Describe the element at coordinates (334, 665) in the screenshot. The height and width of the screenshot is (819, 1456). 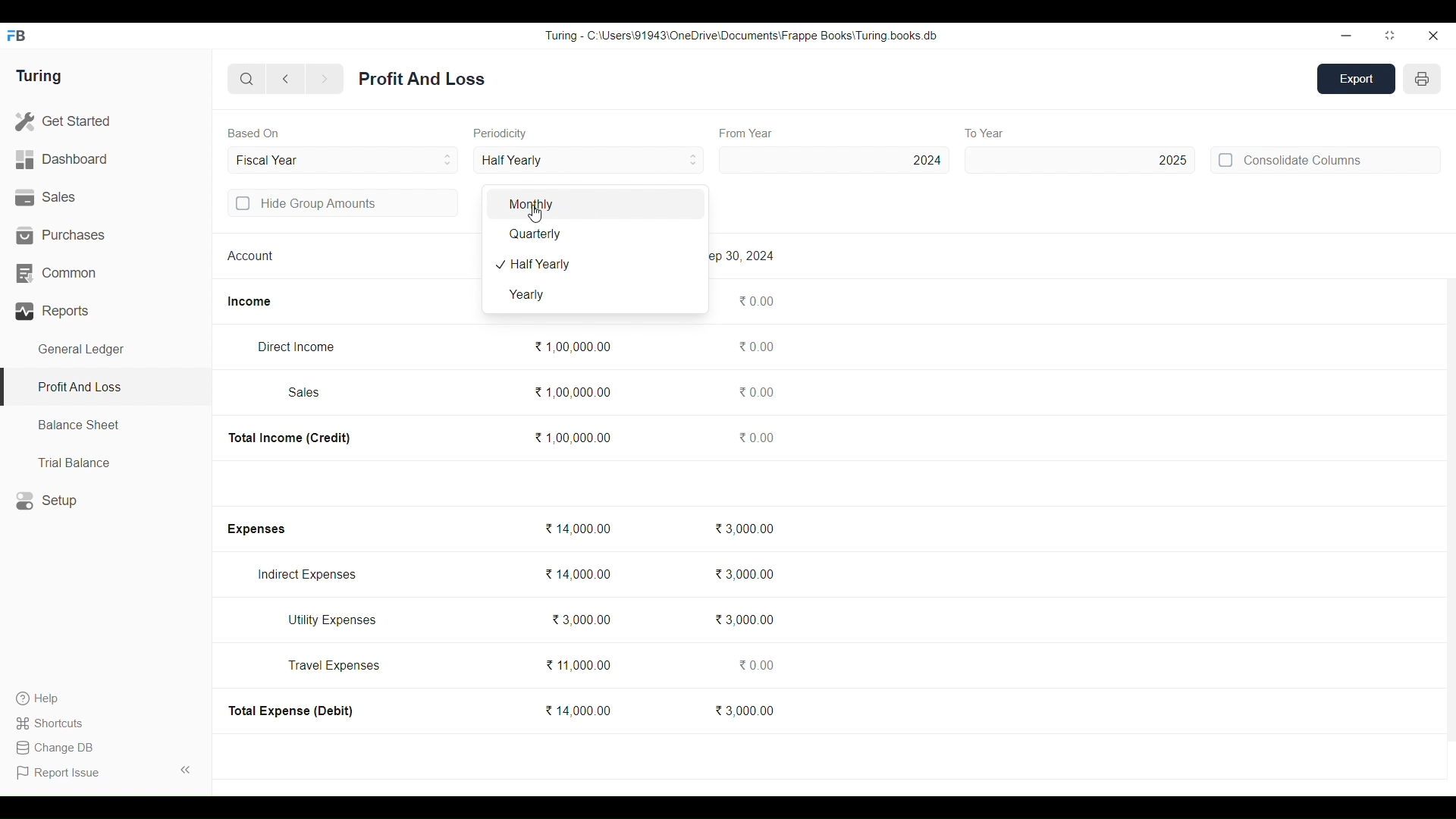
I see `Travel Expenses` at that location.